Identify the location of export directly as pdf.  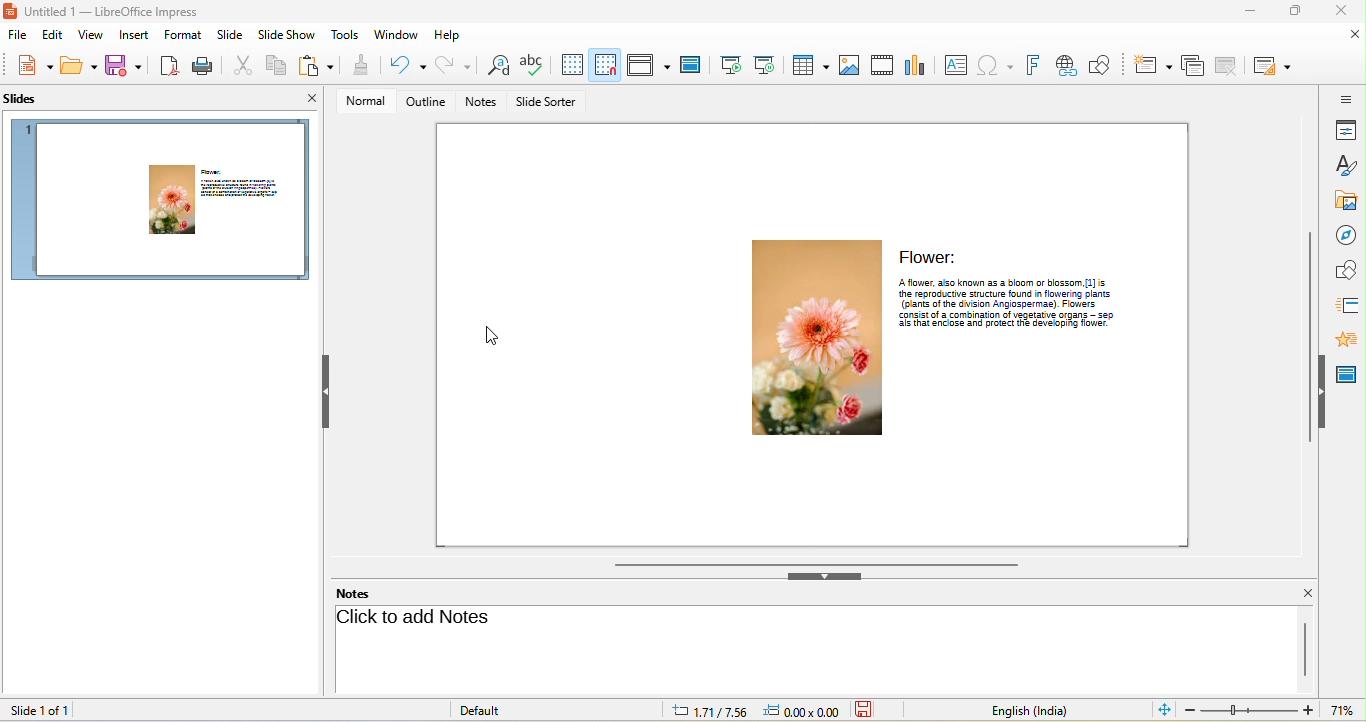
(170, 66).